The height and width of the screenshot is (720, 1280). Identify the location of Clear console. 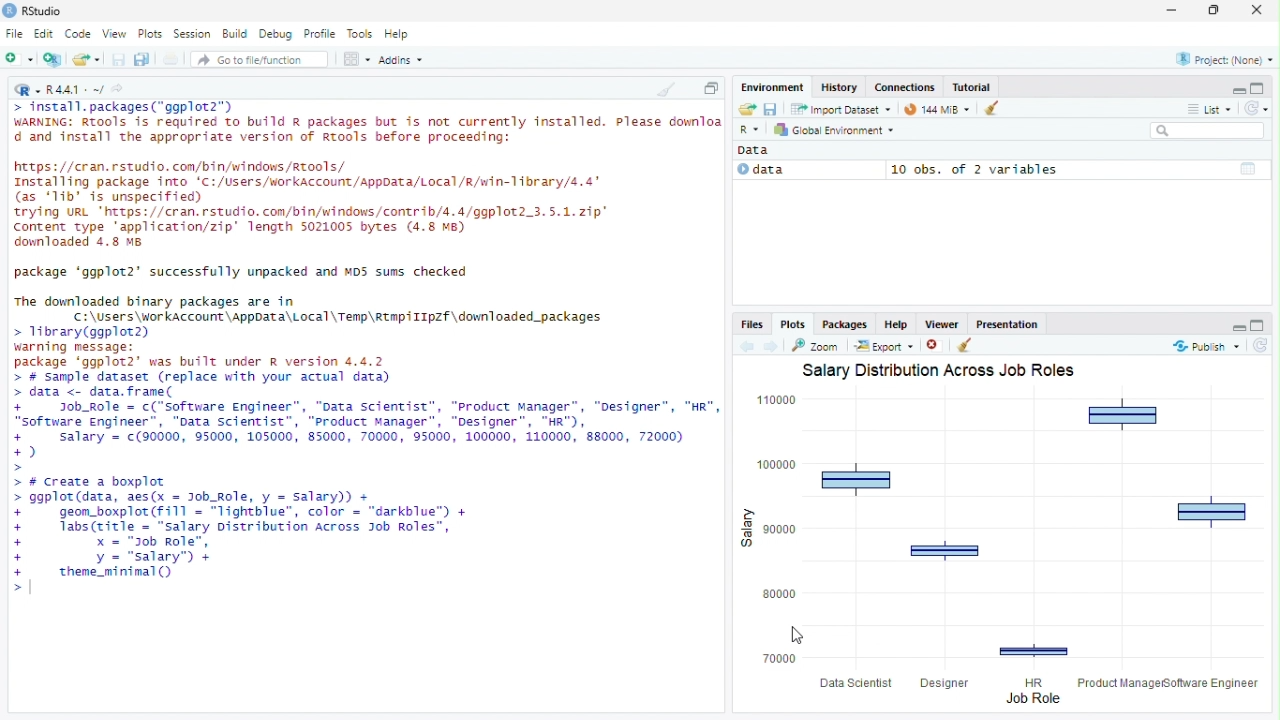
(664, 89).